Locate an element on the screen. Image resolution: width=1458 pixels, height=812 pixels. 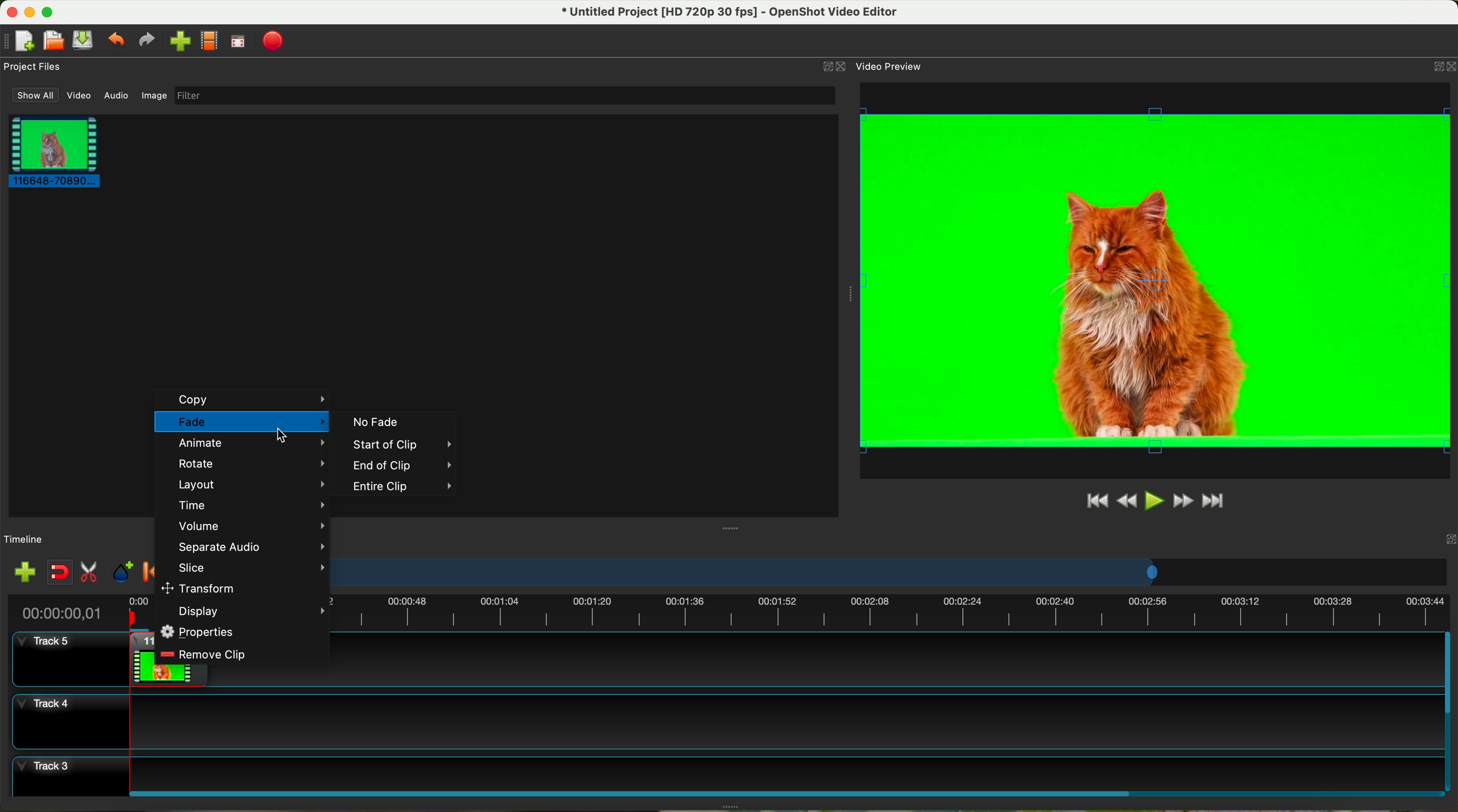
new project is located at coordinates (19, 41).